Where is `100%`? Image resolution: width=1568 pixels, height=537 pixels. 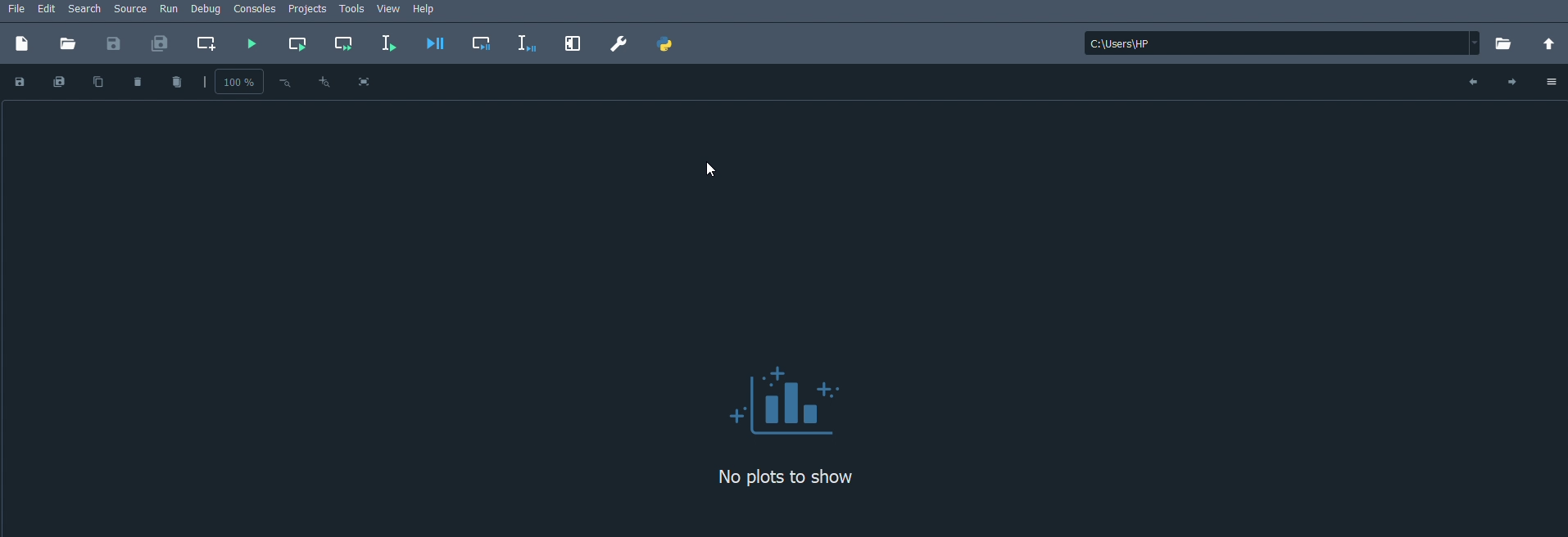
100% is located at coordinates (230, 83).